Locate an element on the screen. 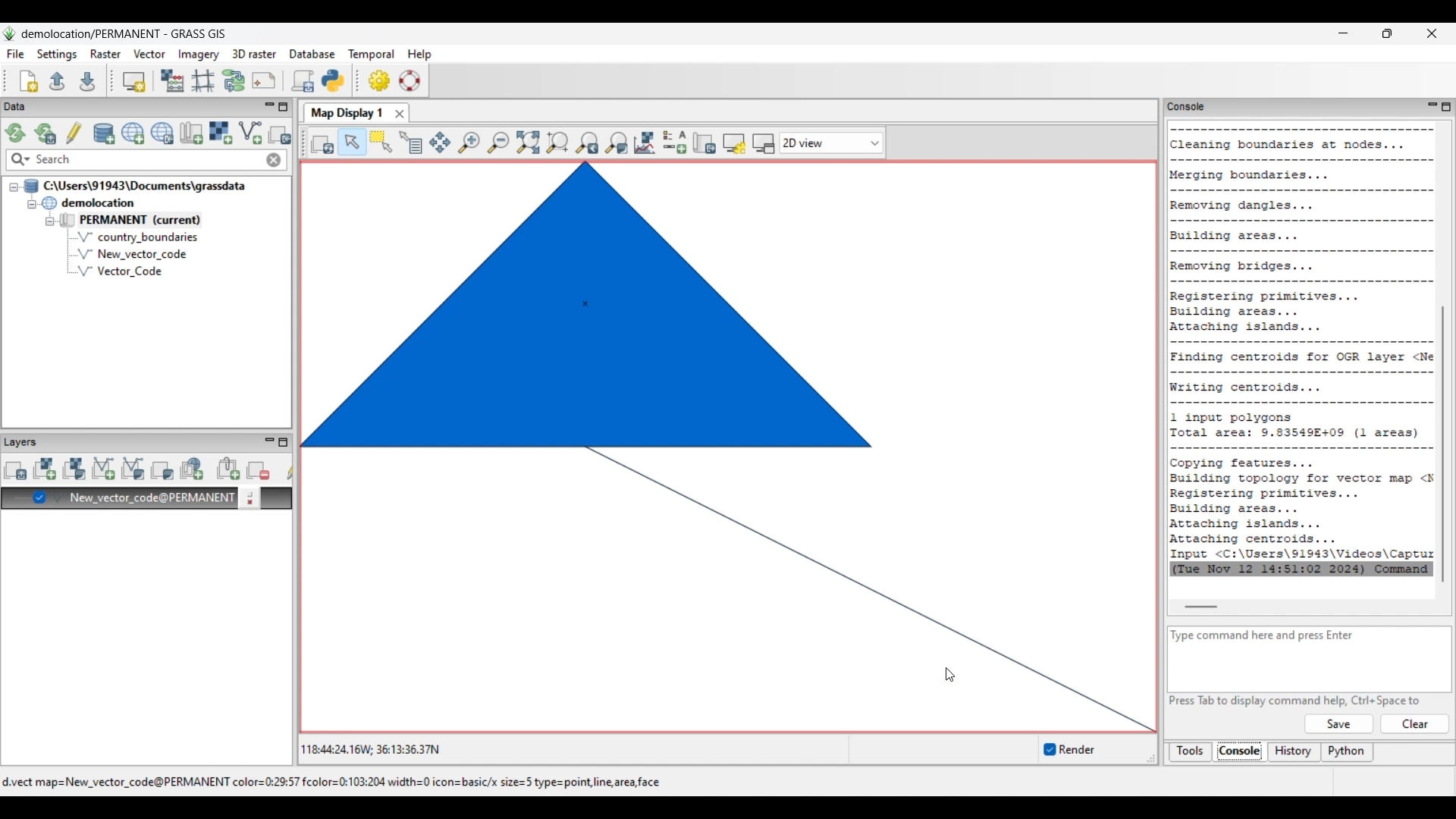  reminder is located at coordinates (1060, 751).